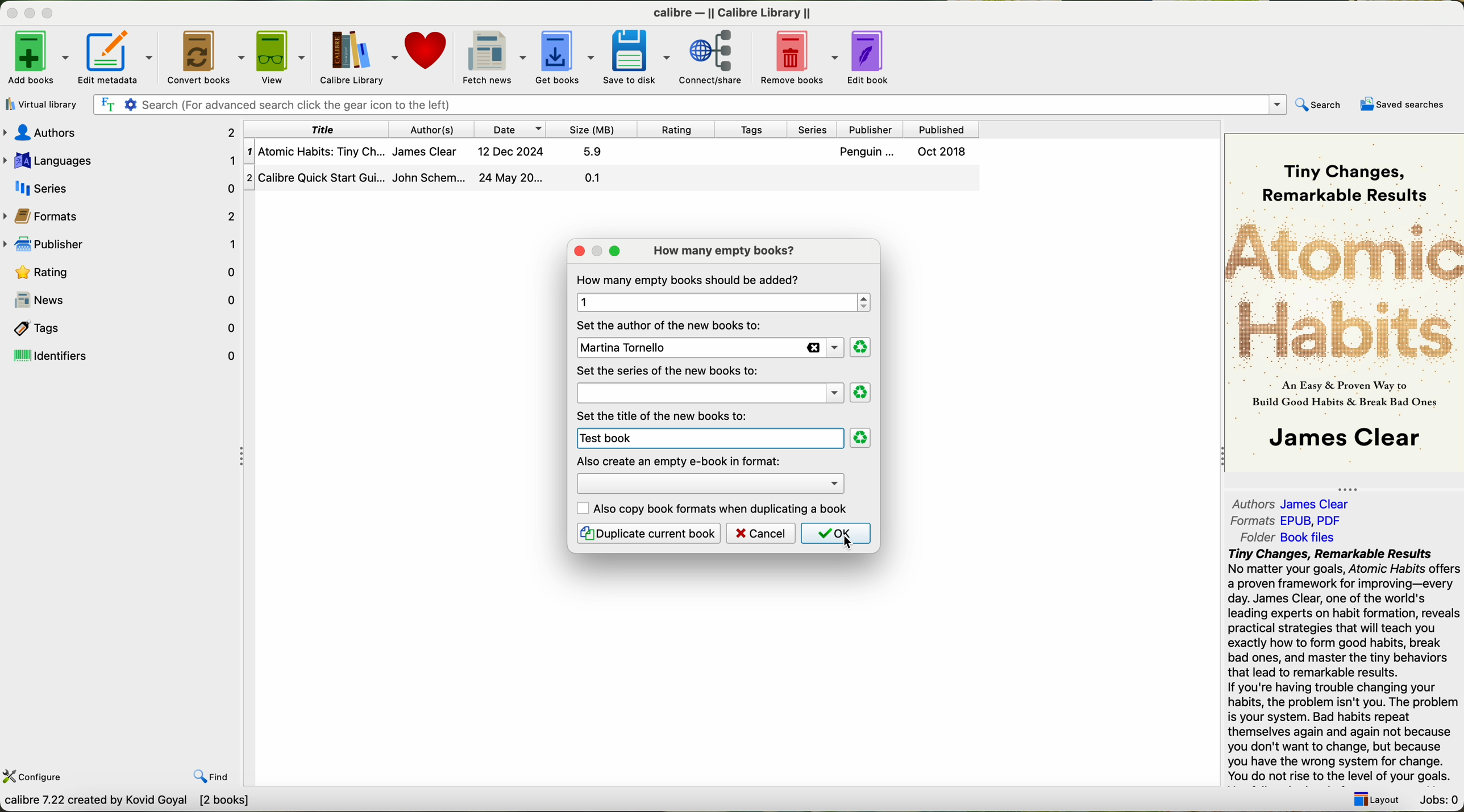 Image resolution: width=1464 pixels, height=812 pixels. Describe the element at coordinates (720, 302) in the screenshot. I see `1` at that location.